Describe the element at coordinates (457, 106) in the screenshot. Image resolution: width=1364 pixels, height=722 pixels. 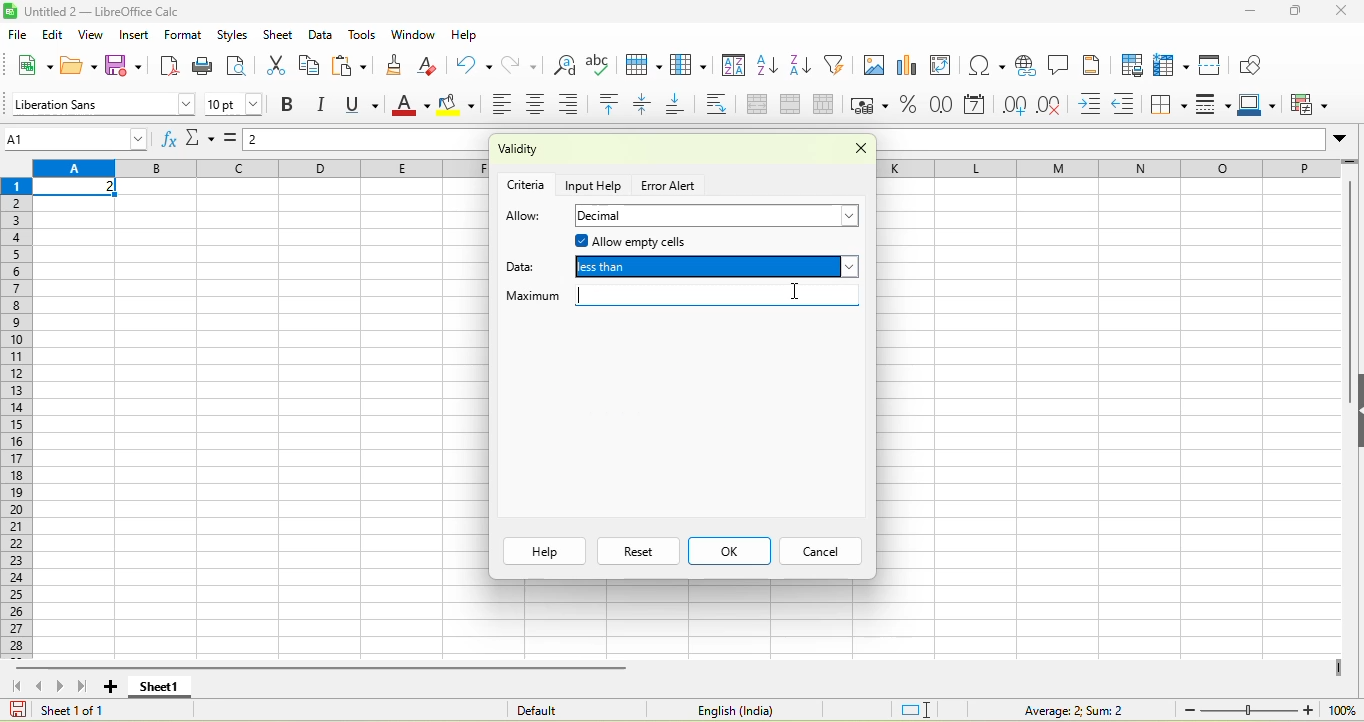
I see `background color` at that location.